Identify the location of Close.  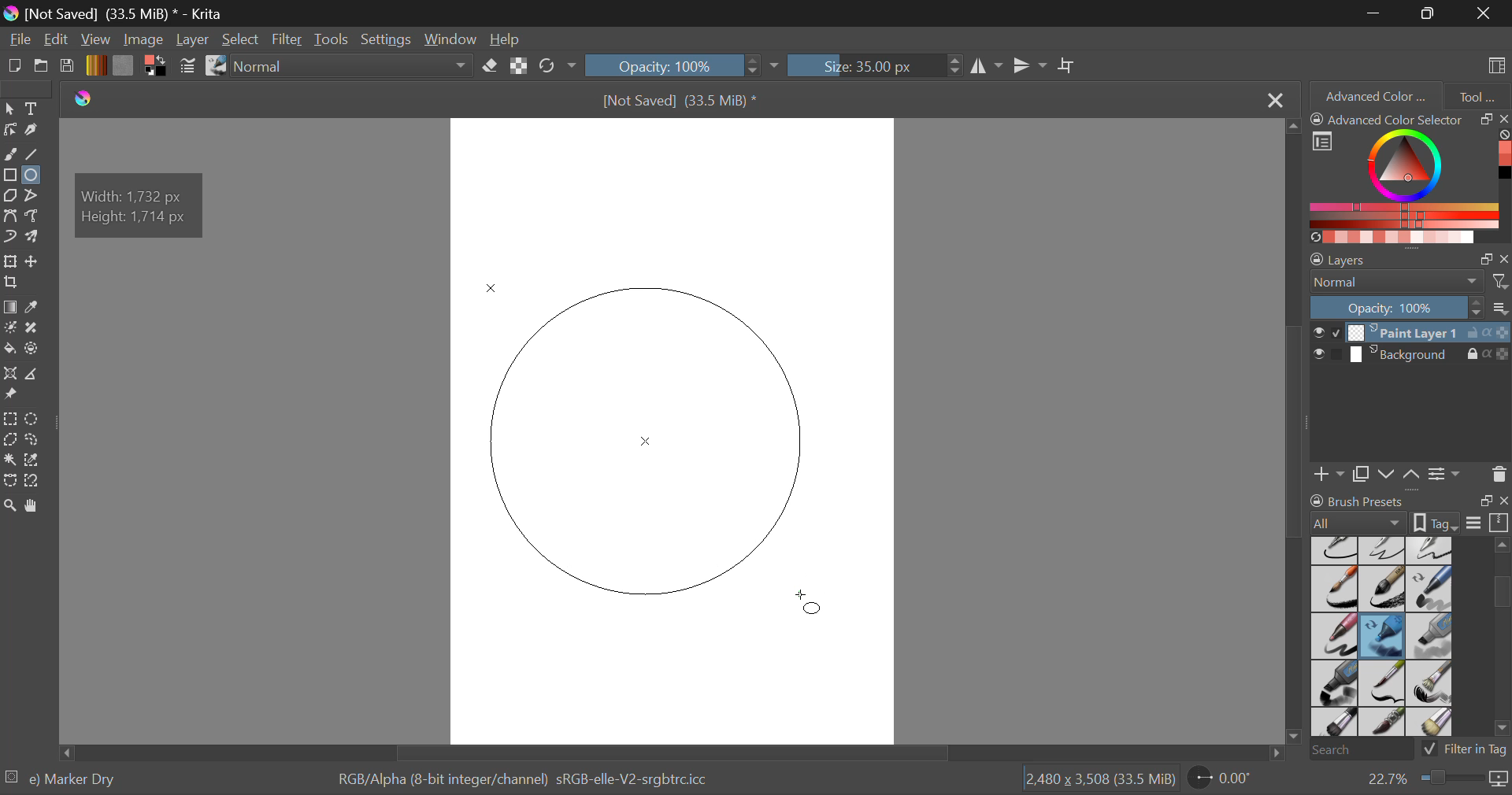
(1273, 101).